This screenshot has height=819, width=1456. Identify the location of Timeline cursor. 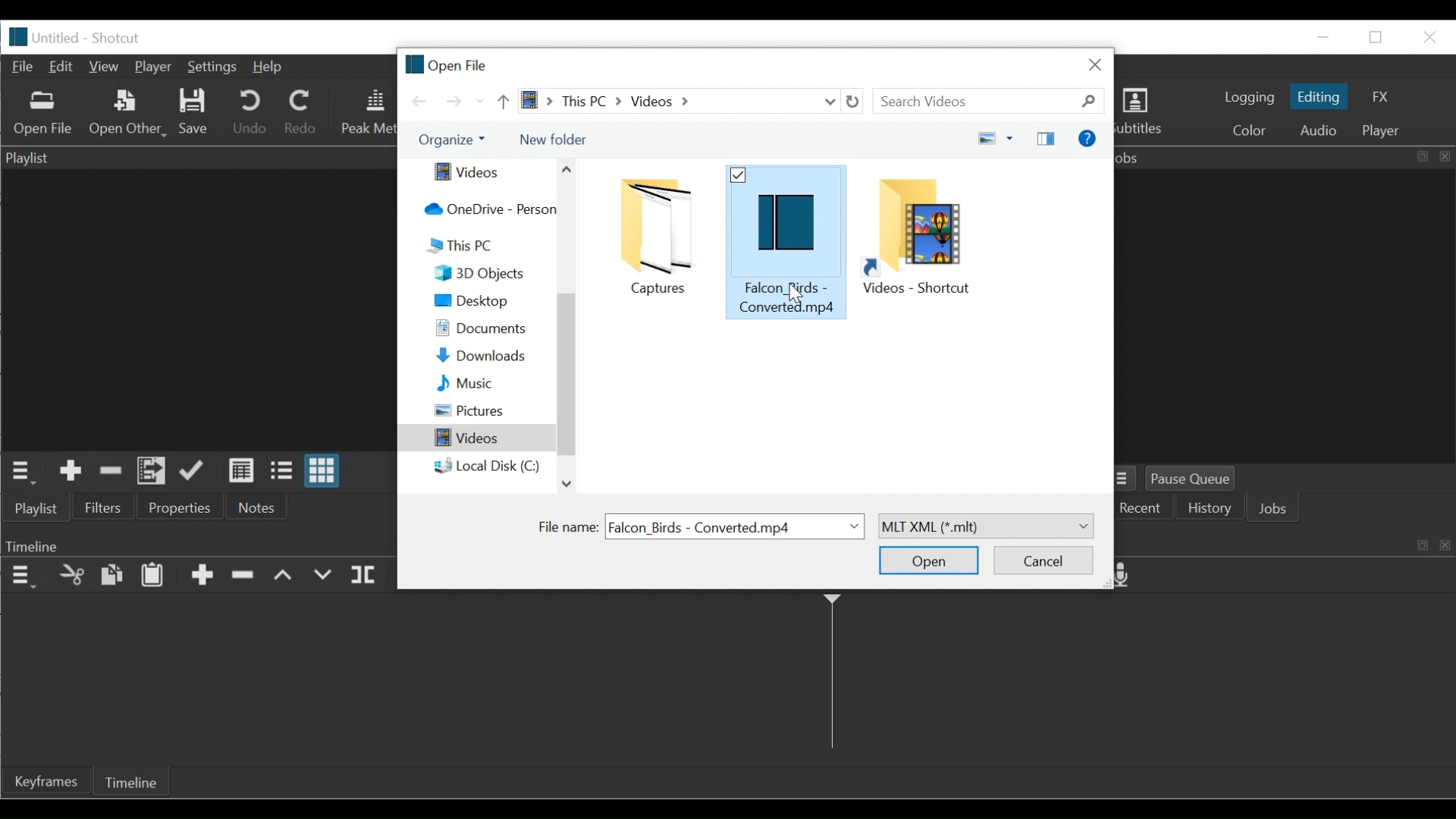
(831, 676).